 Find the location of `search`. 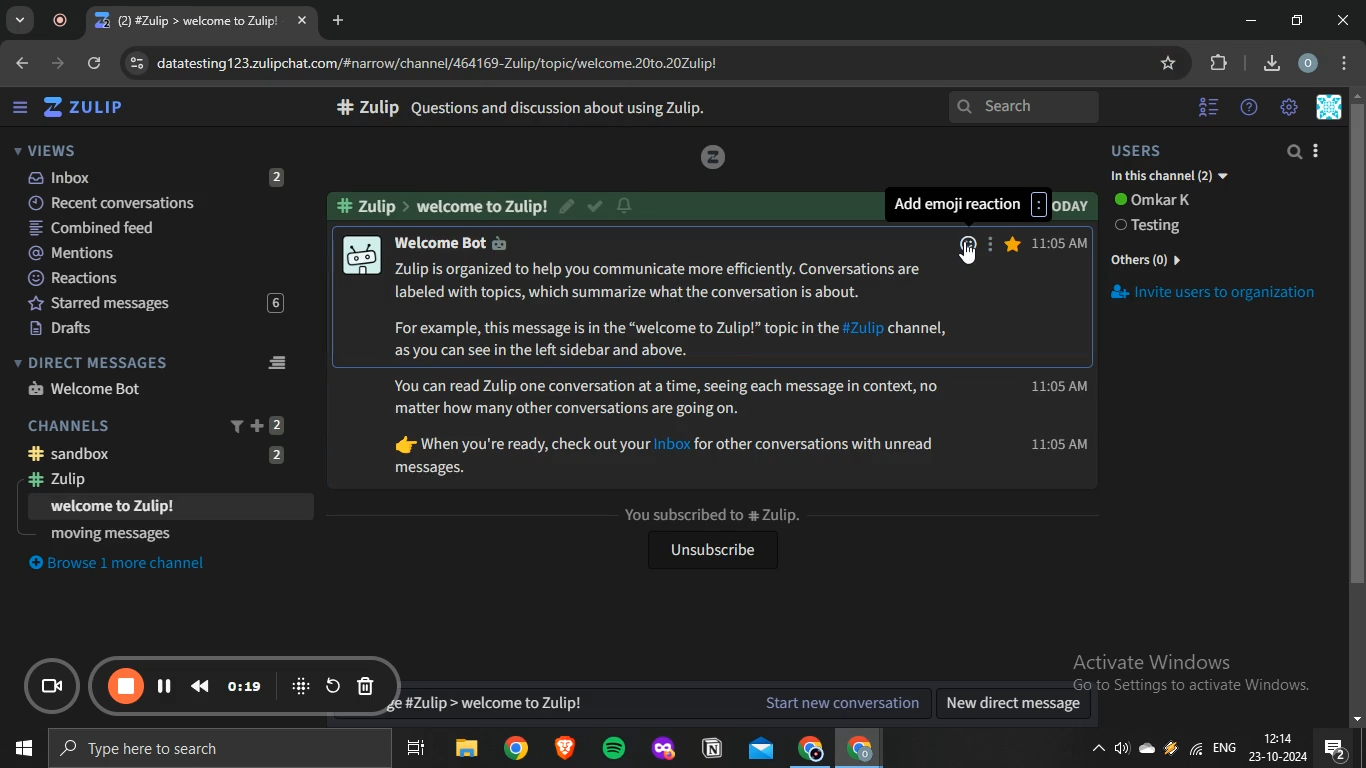

search is located at coordinates (1026, 108).